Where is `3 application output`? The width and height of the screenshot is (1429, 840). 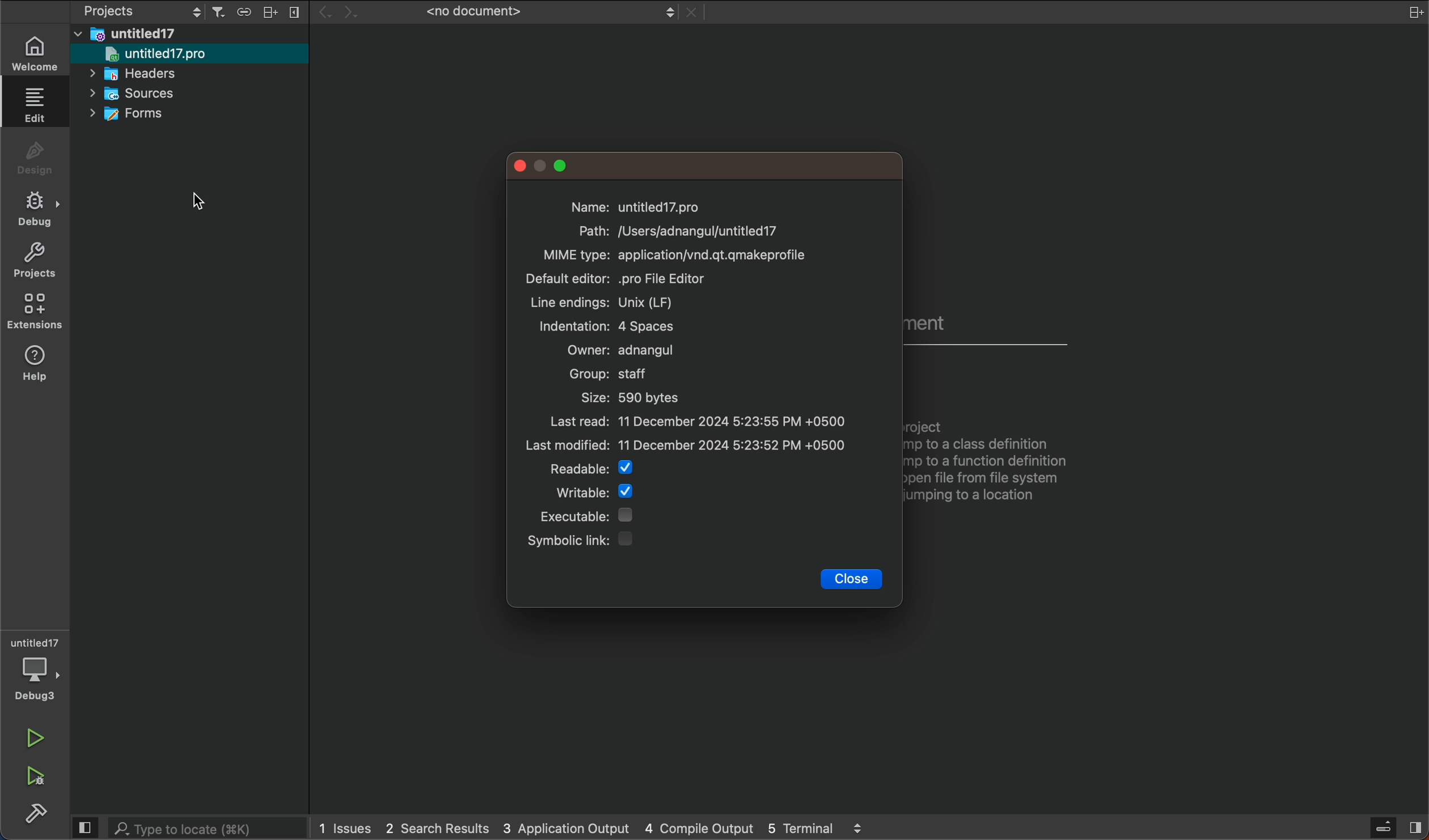
3 application output is located at coordinates (569, 829).